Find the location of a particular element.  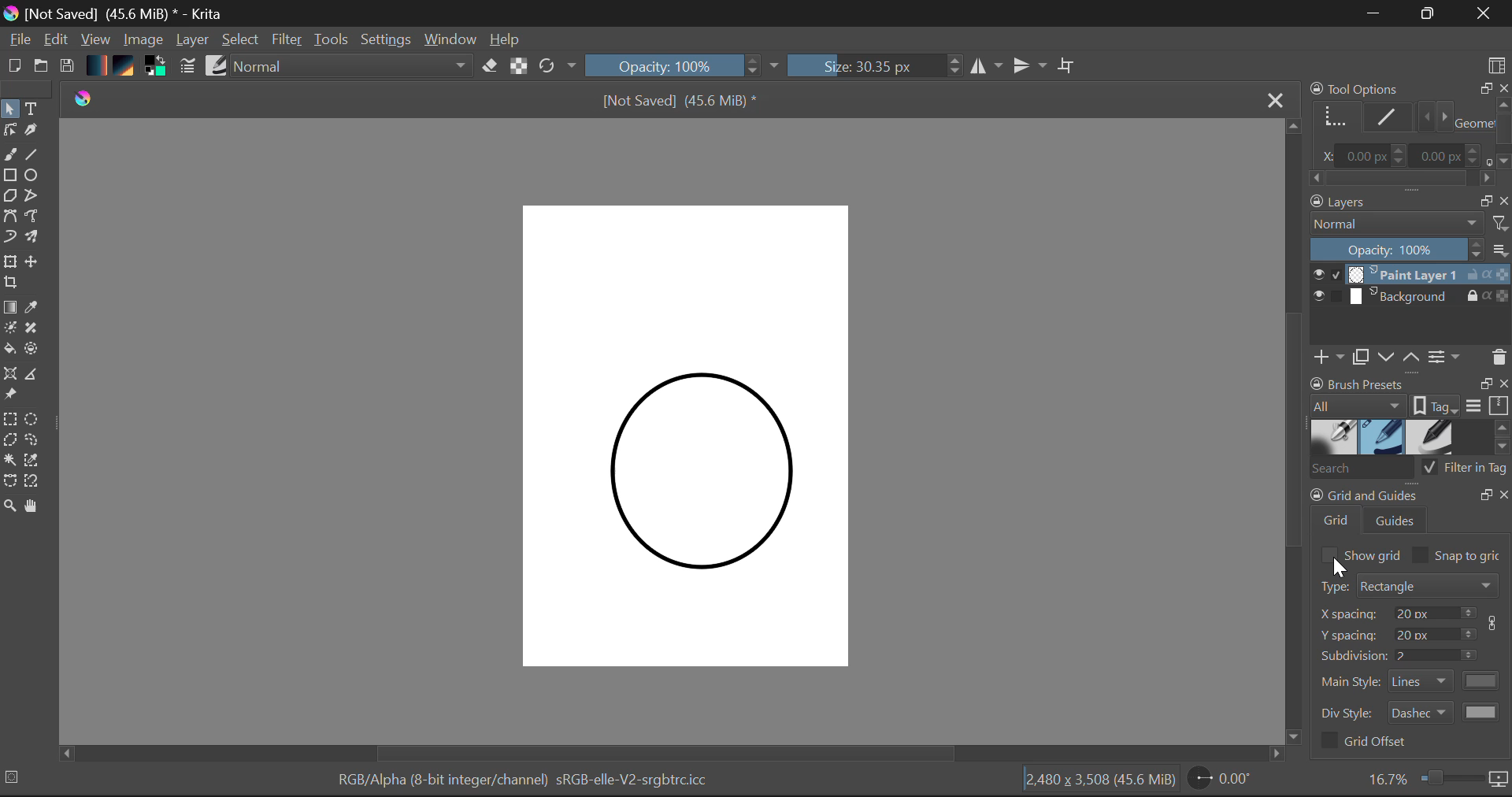

Cursor on Show Grid is located at coordinates (1329, 554).